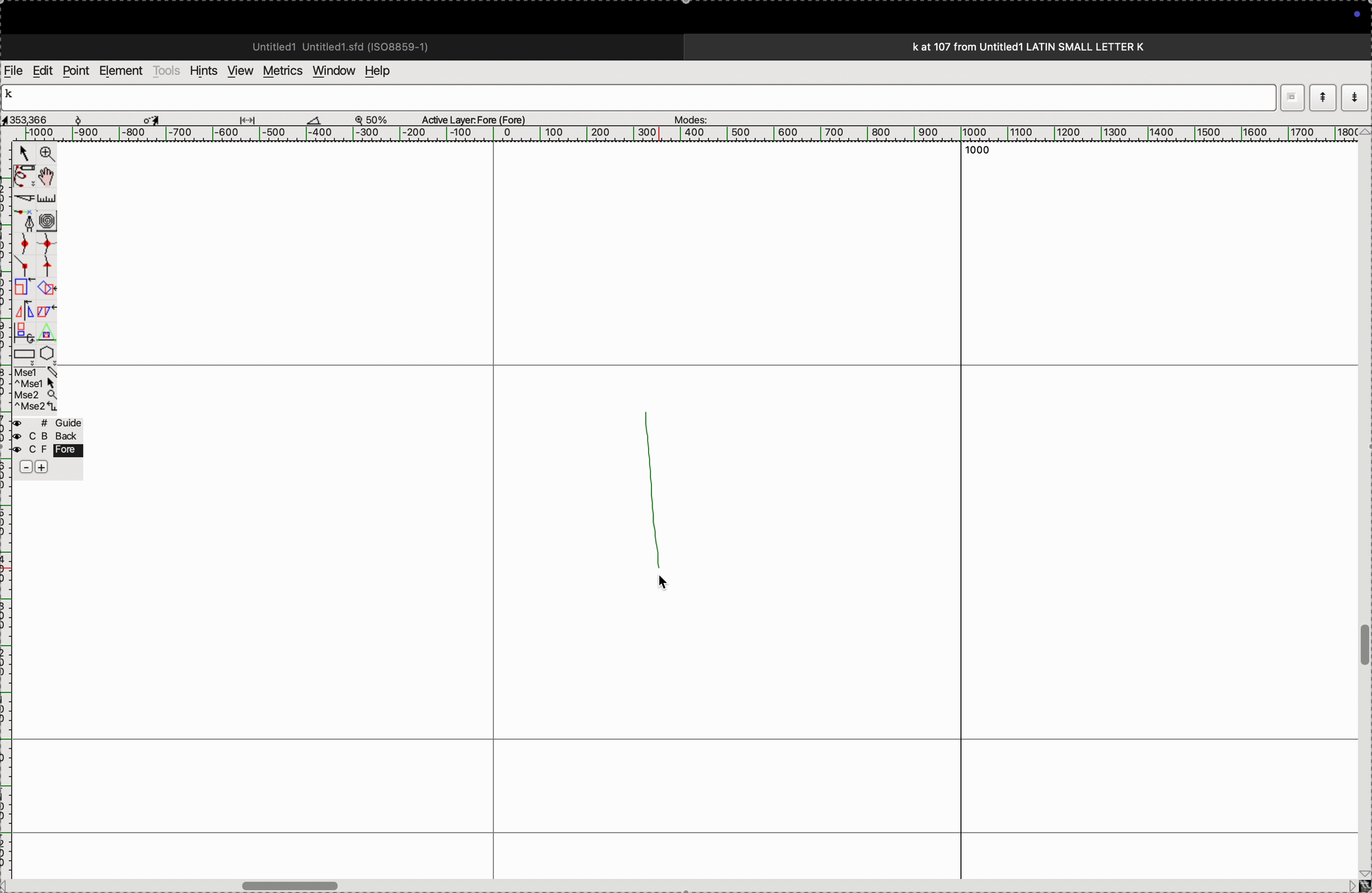 This screenshot has height=893, width=1372. What do you see at coordinates (345, 46) in the screenshot?
I see `untitled std` at bounding box center [345, 46].